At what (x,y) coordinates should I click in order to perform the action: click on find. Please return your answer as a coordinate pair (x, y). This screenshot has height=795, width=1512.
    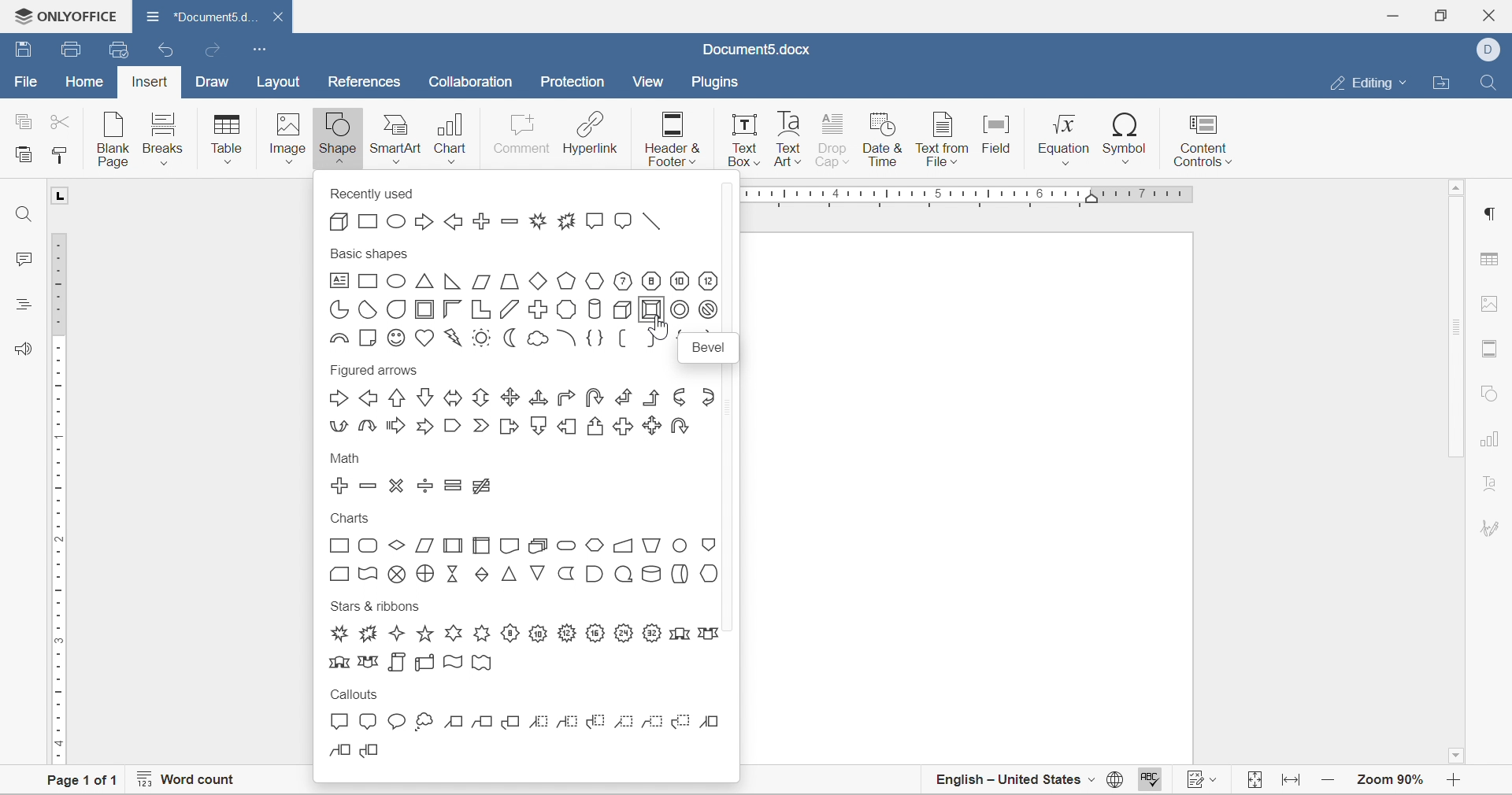
    Looking at the image, I should click on (1488, 81).